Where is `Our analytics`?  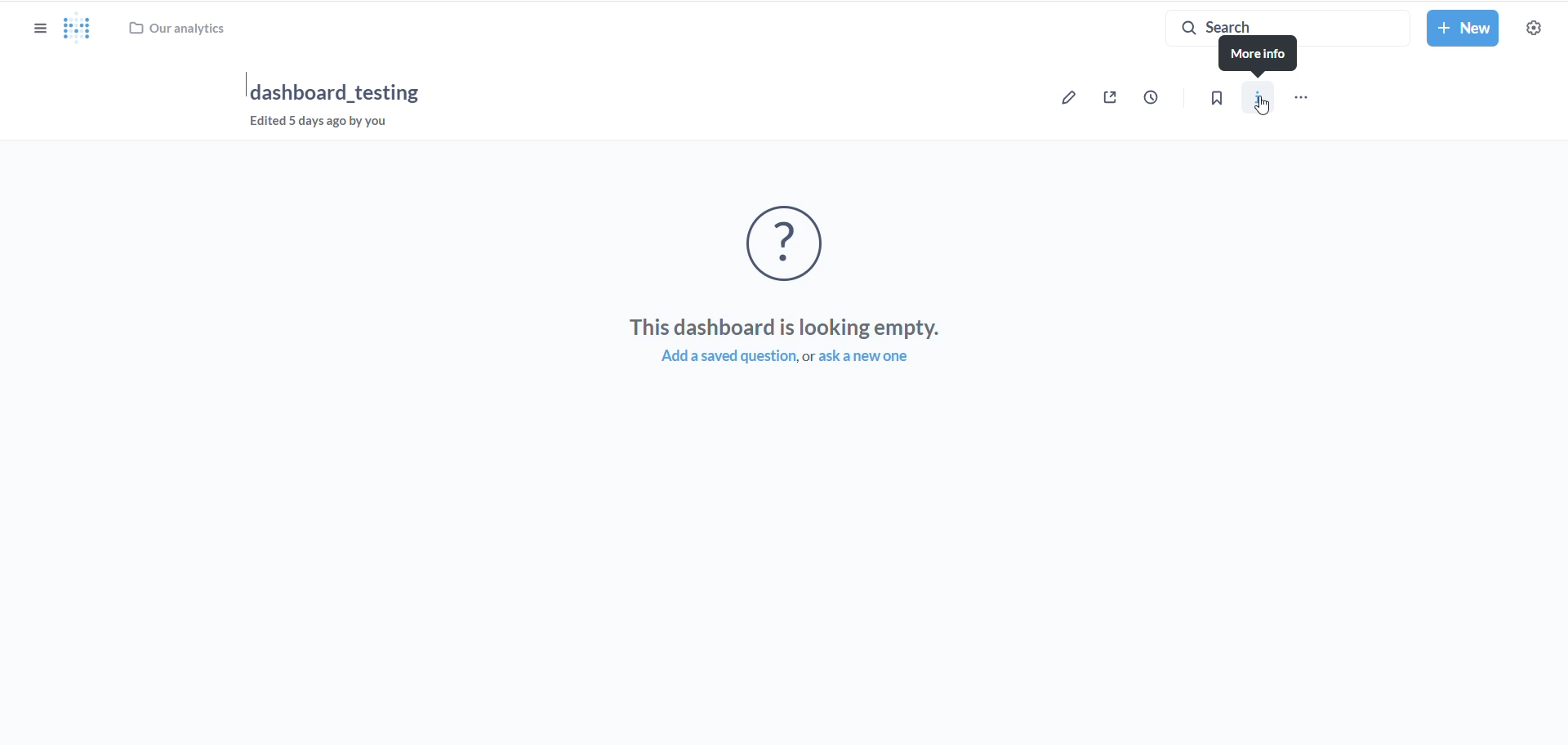
Our analytics is located at coordinates (180, 27).